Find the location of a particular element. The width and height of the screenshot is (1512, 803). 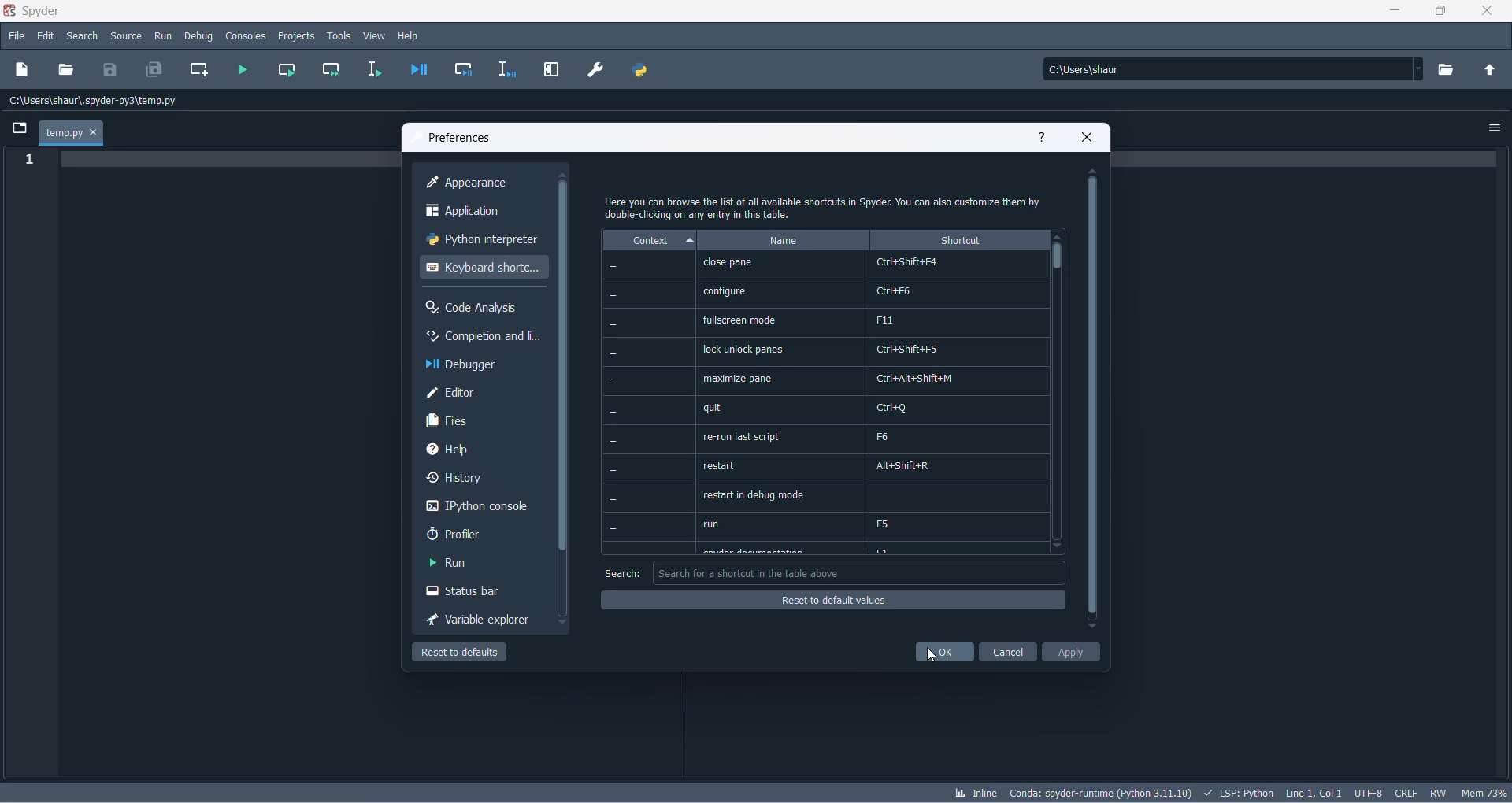

text is located at coordinates (821, 209).